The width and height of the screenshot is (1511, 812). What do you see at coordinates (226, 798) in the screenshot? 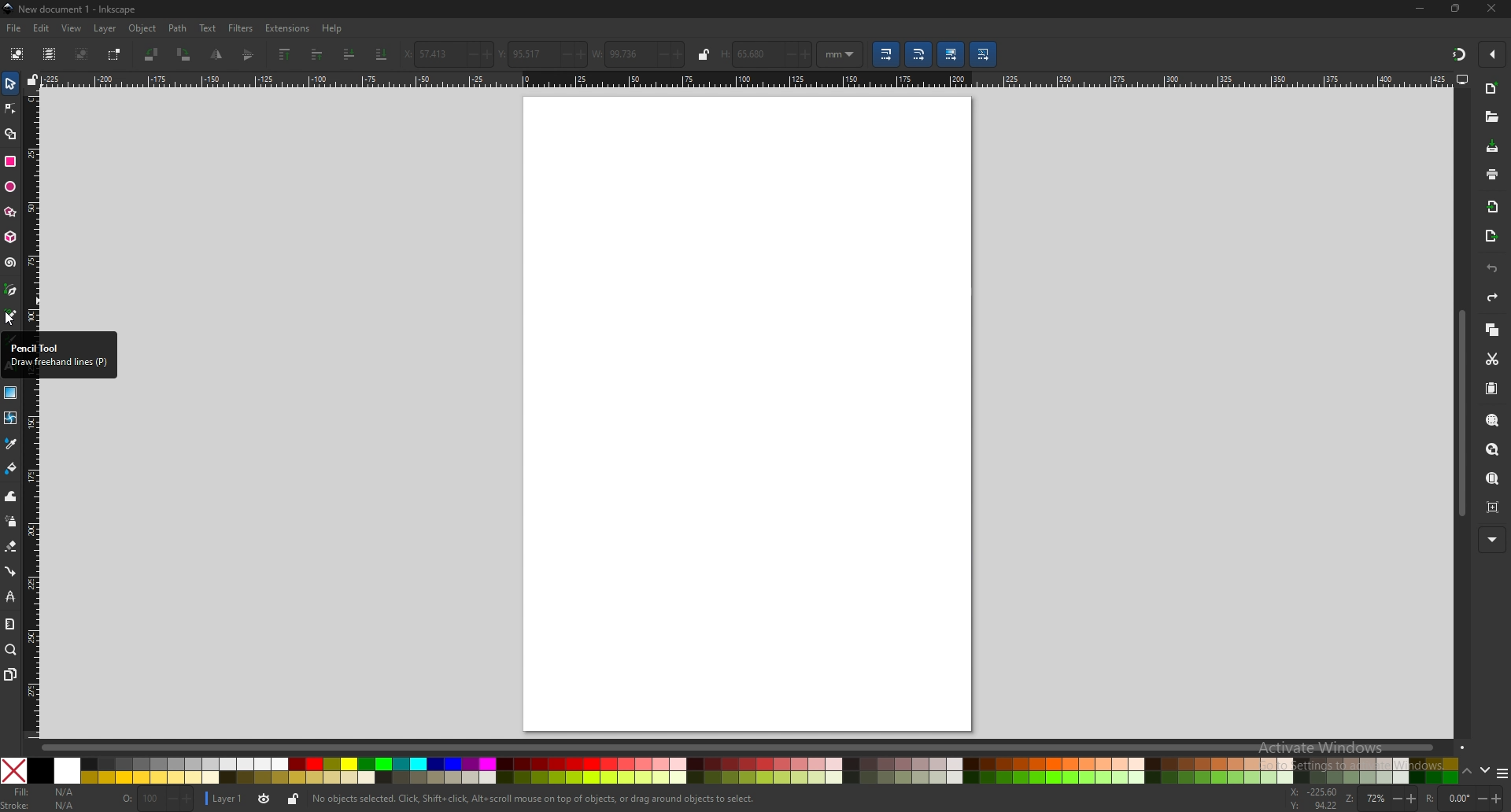
I see `layer` at bounding box center [226, 798].